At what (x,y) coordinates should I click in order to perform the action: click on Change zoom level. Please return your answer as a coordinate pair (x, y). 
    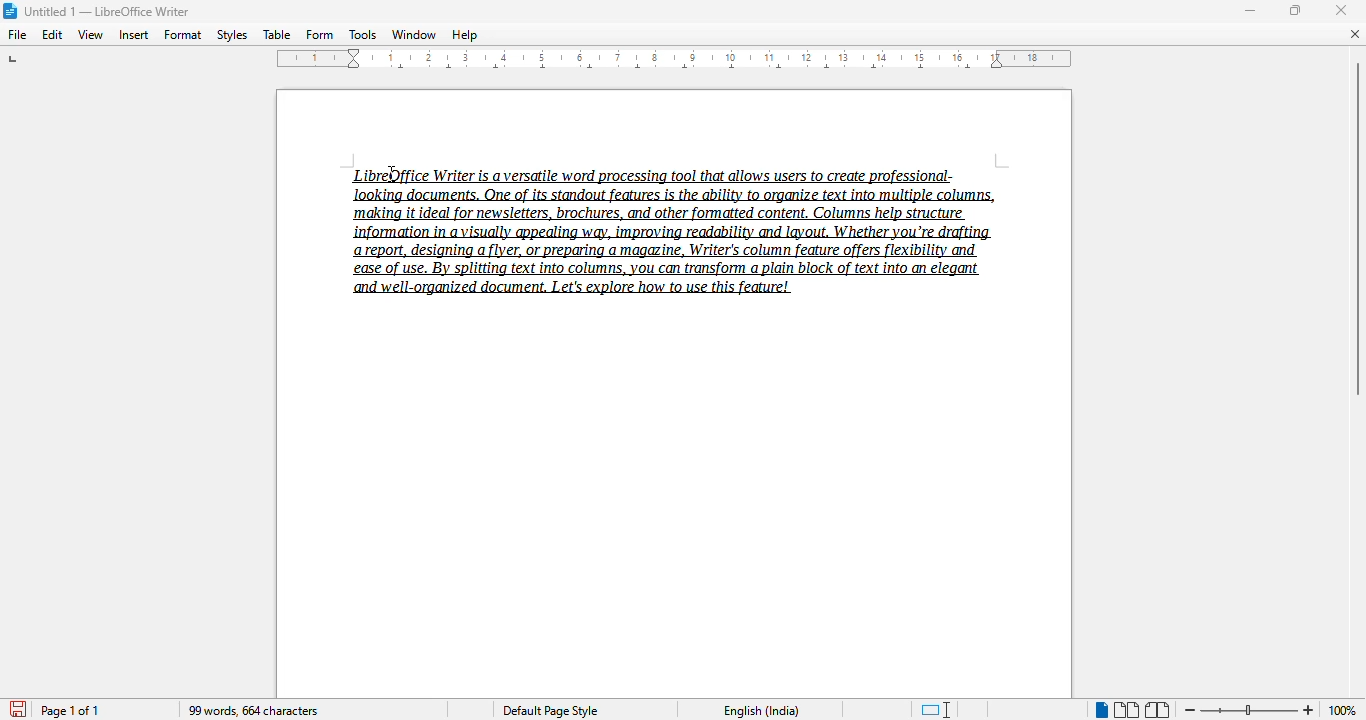
    Looking at the image, I should click on (1250, 707).